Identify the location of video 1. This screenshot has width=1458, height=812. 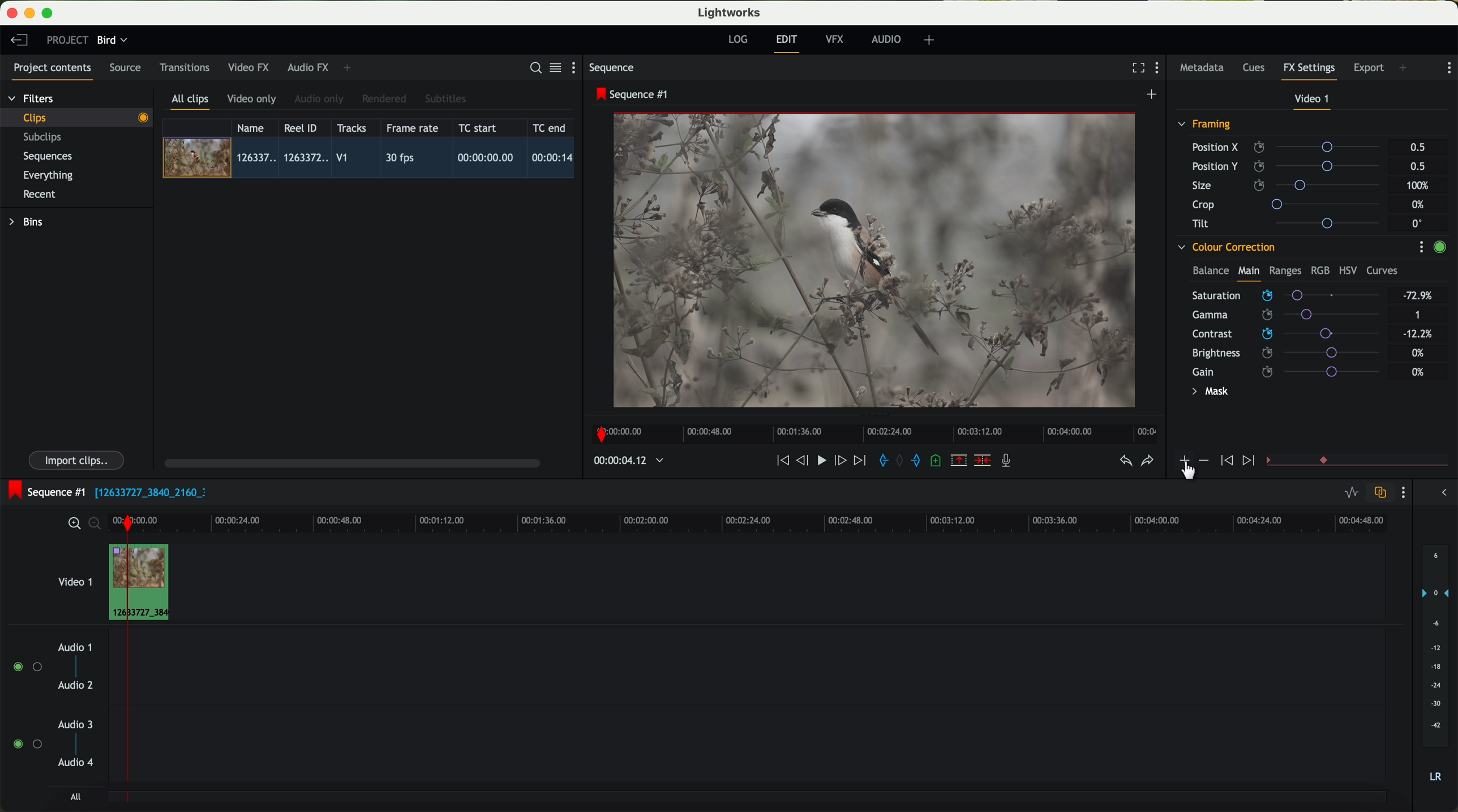
(74, 579).